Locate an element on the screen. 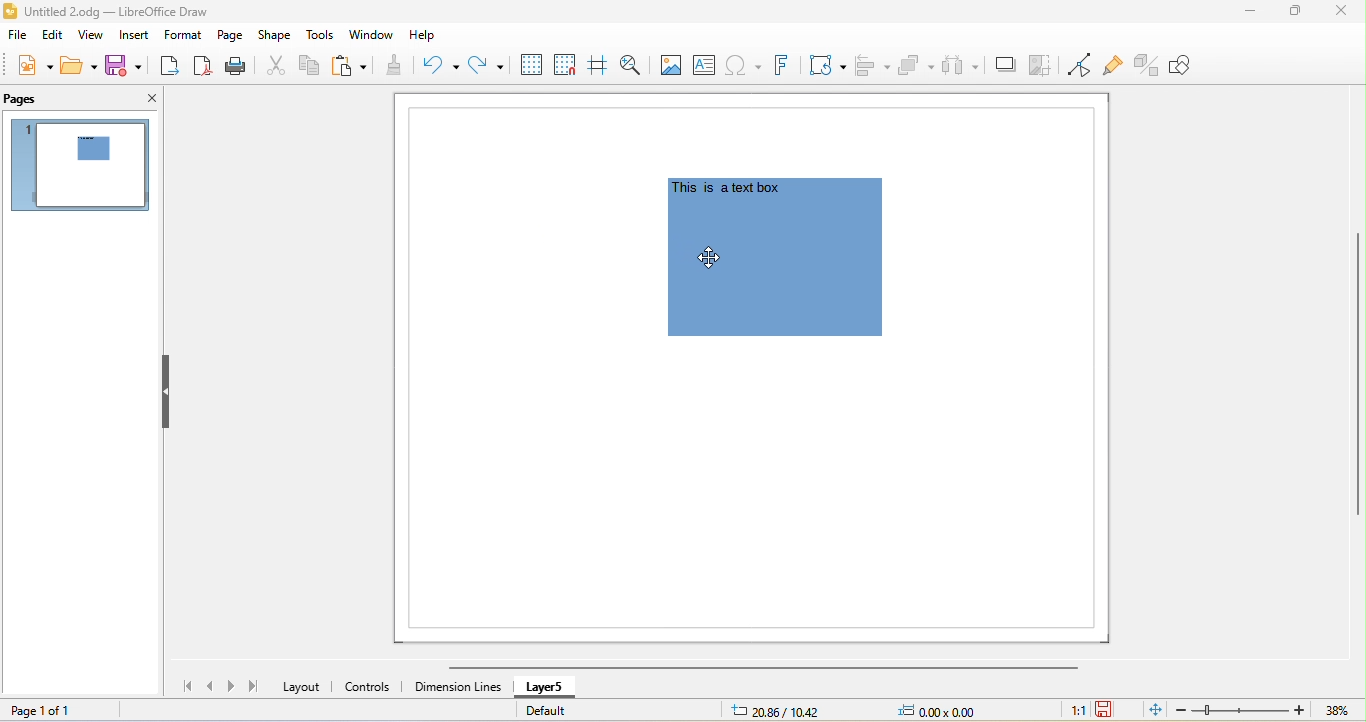 This screenshot has width=1366, height=722. export directly as pdf is located at coordinates (203, 67).